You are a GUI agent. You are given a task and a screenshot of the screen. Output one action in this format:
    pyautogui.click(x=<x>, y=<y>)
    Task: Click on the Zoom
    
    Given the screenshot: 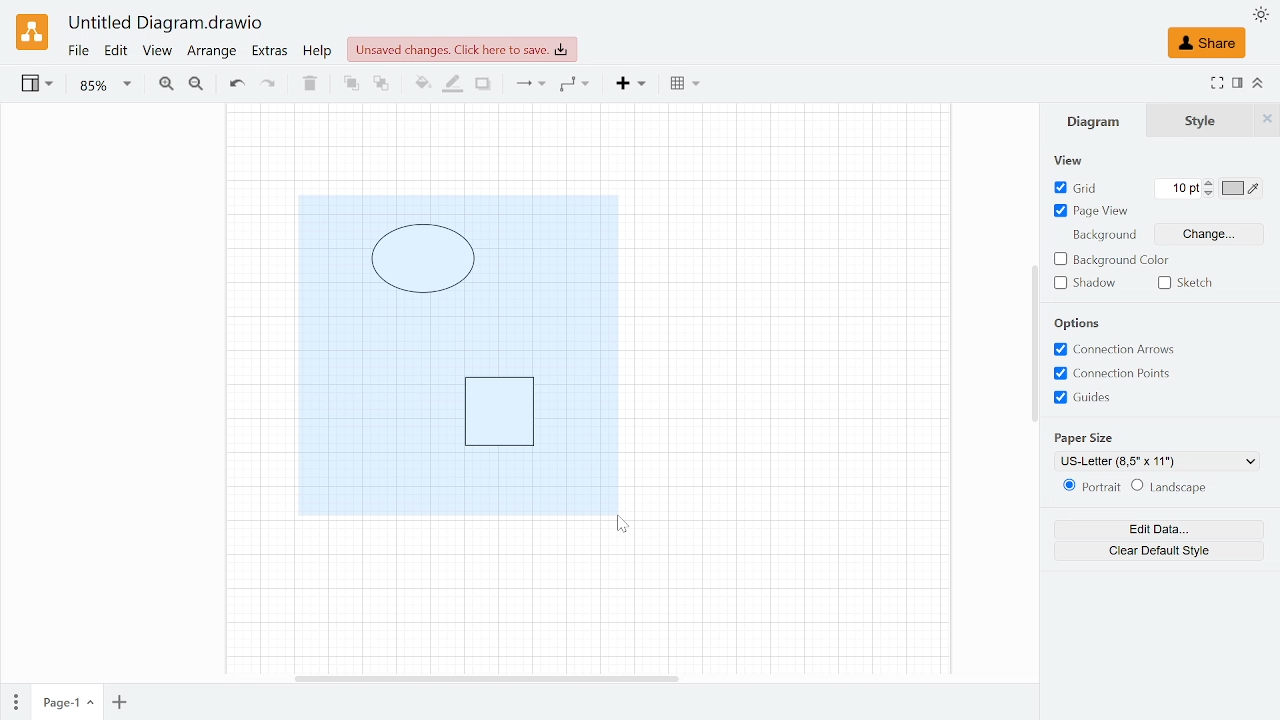 What is the action you would take?
    pyautogui.click(x=105, y=86)
    